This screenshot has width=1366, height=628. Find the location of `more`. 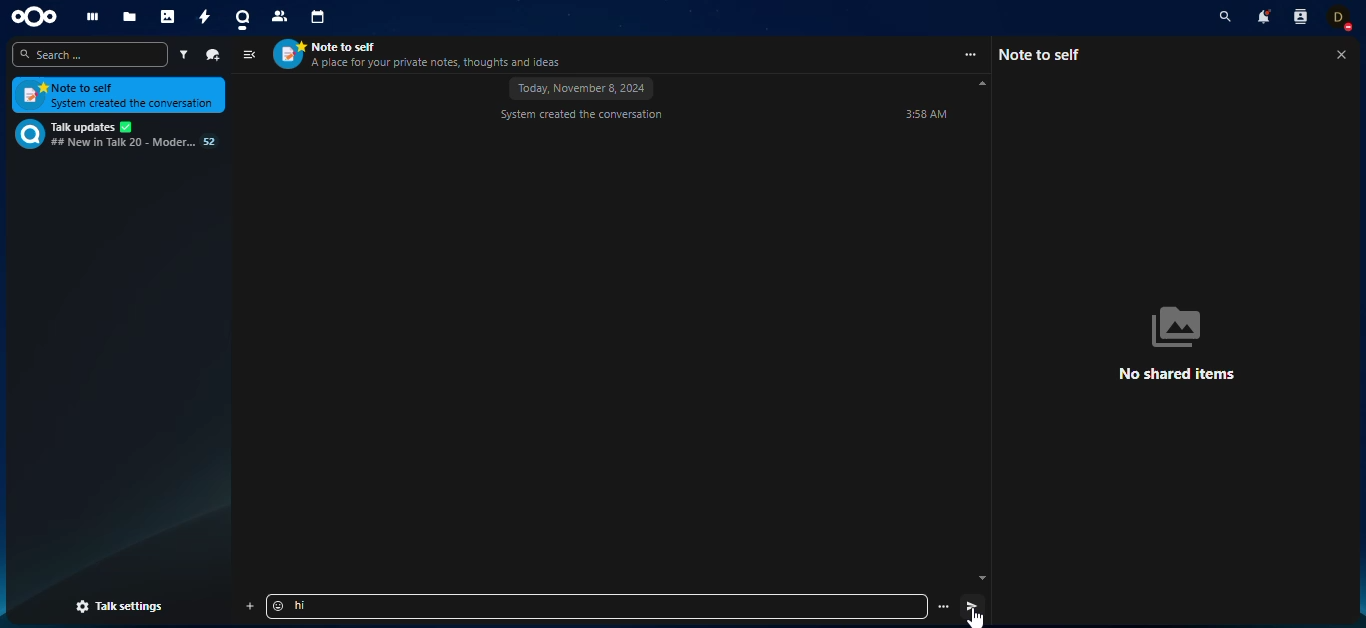

more is located at coordinates (943, 606).